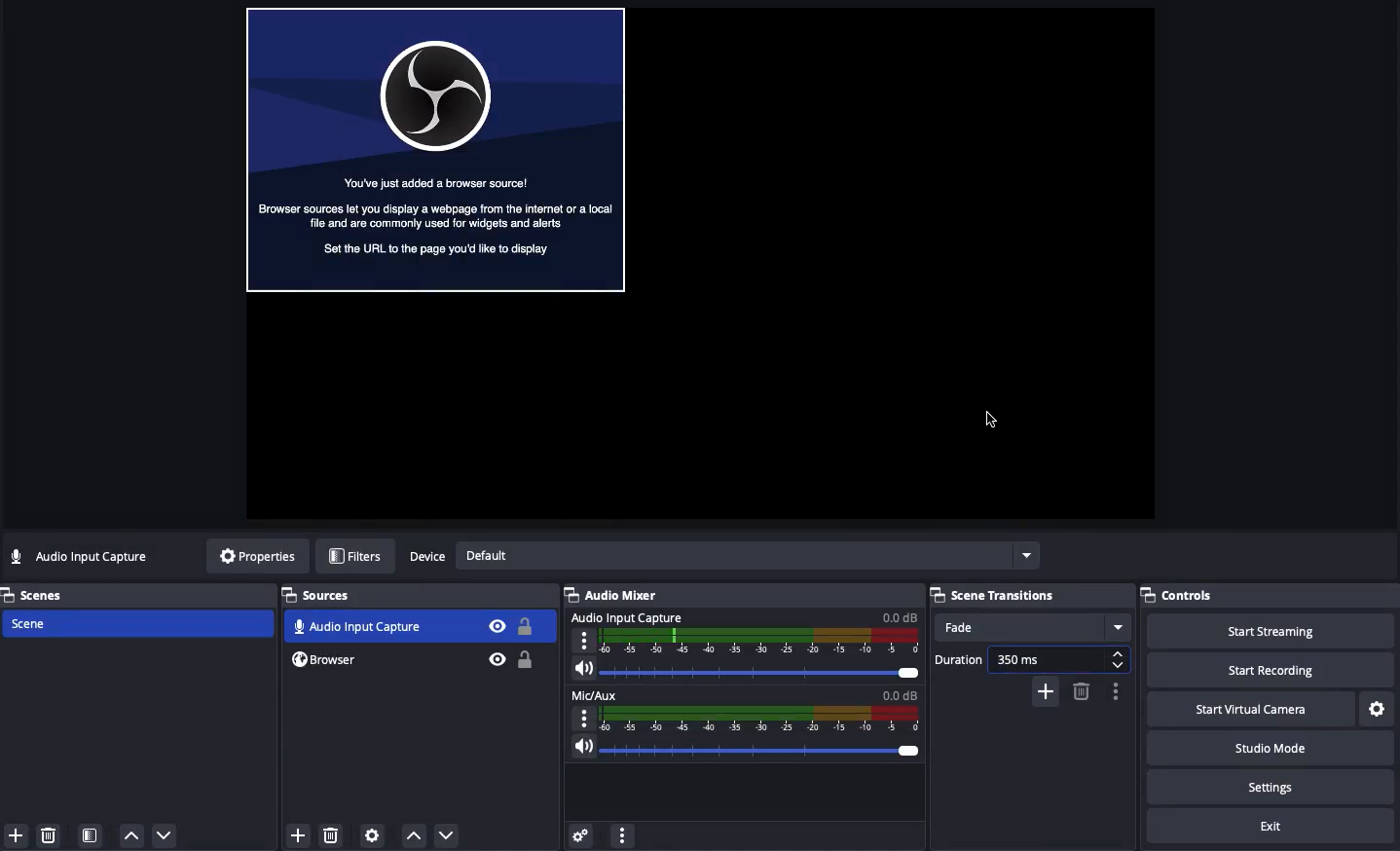 The width and height of the screenshot is (1400, 851). I want to click on Move up, so click(413, 835).